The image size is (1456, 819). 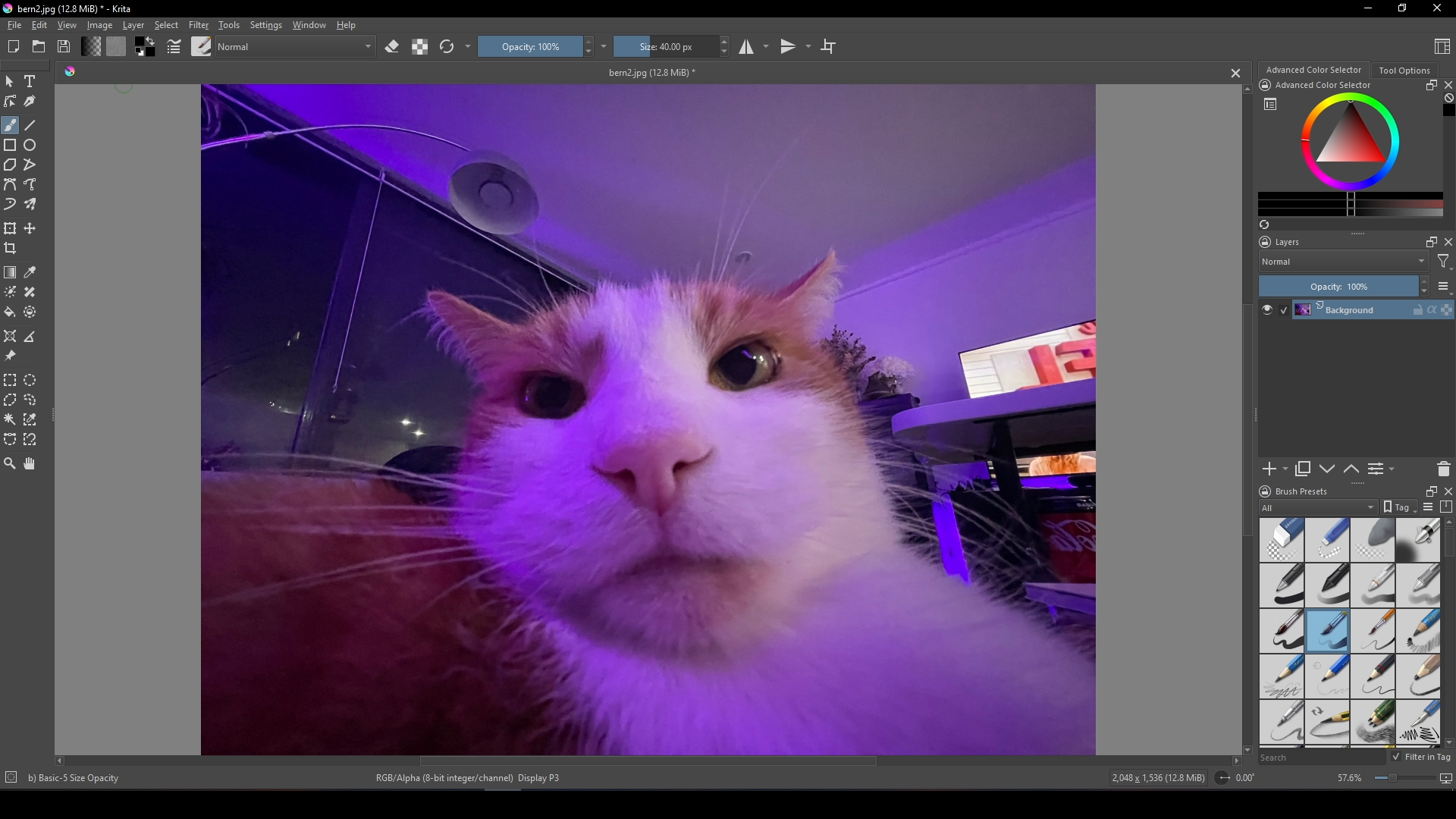 What do you see at coordinates (167, 25) in the screenshot?
I see `Select` at bounding box center [167, 25].